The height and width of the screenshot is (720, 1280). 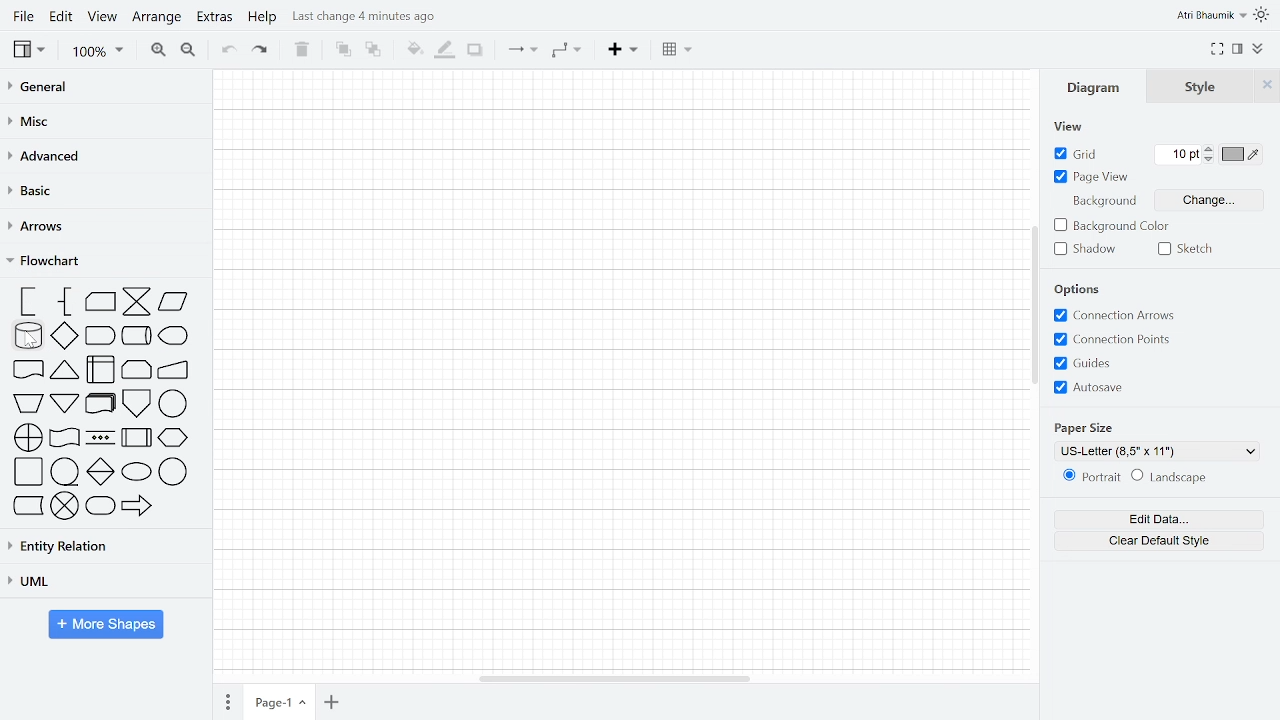 I want to click on Shadow, so click(x=1084, y=249).